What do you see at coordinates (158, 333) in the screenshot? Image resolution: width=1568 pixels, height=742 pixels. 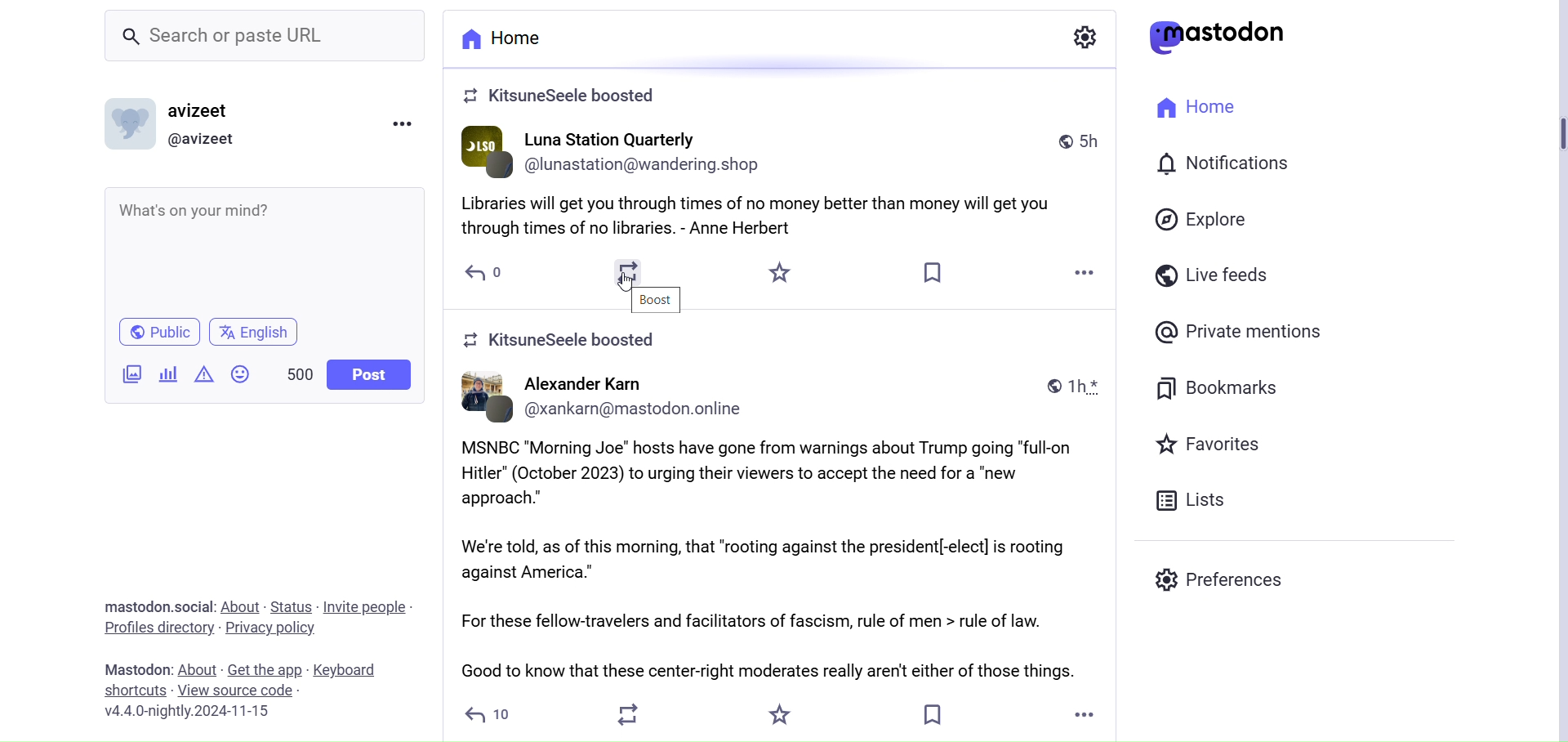 I see `Public` at bounding box center [158, 333].